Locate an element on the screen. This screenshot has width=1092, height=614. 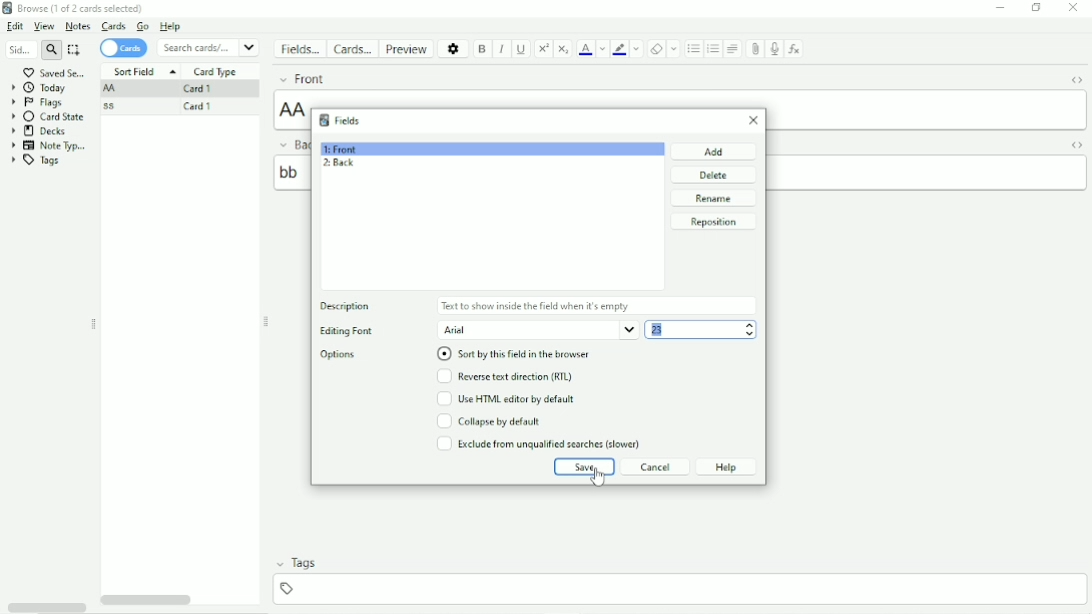
Equations is located at coordinates (794, 48).